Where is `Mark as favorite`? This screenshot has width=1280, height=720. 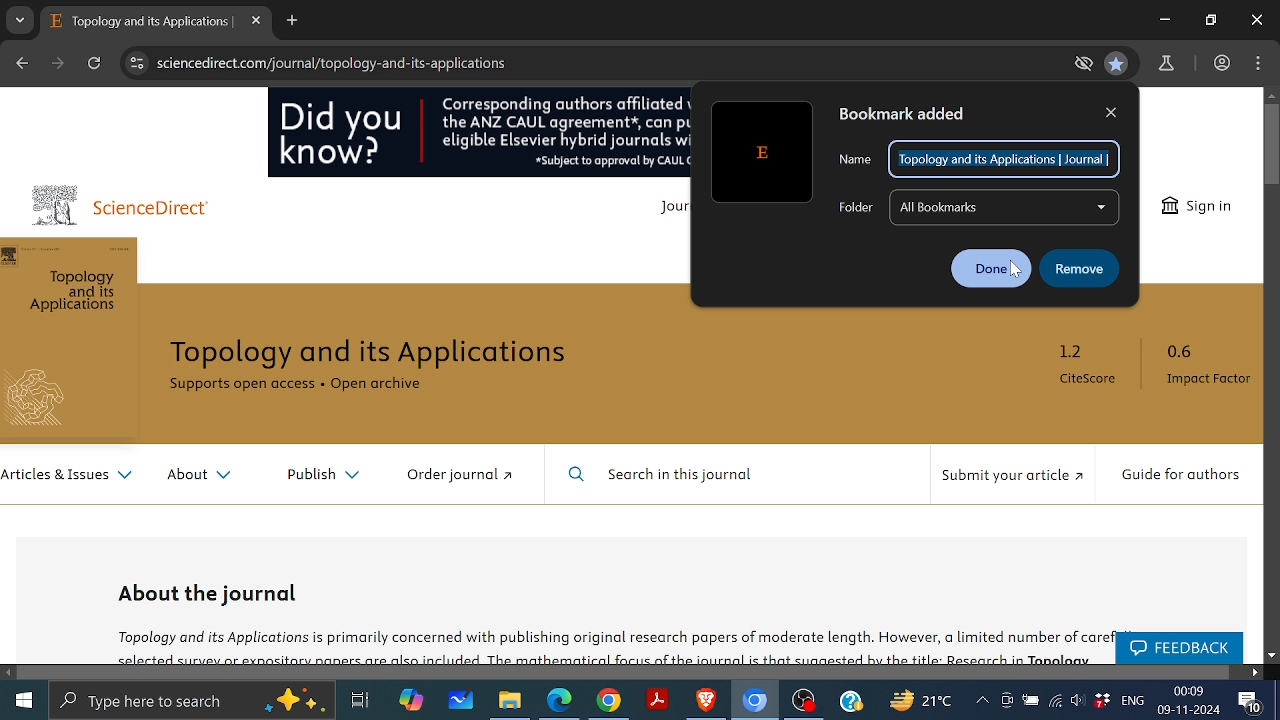
Mark as favorite is located at coordinates (1116, 62).